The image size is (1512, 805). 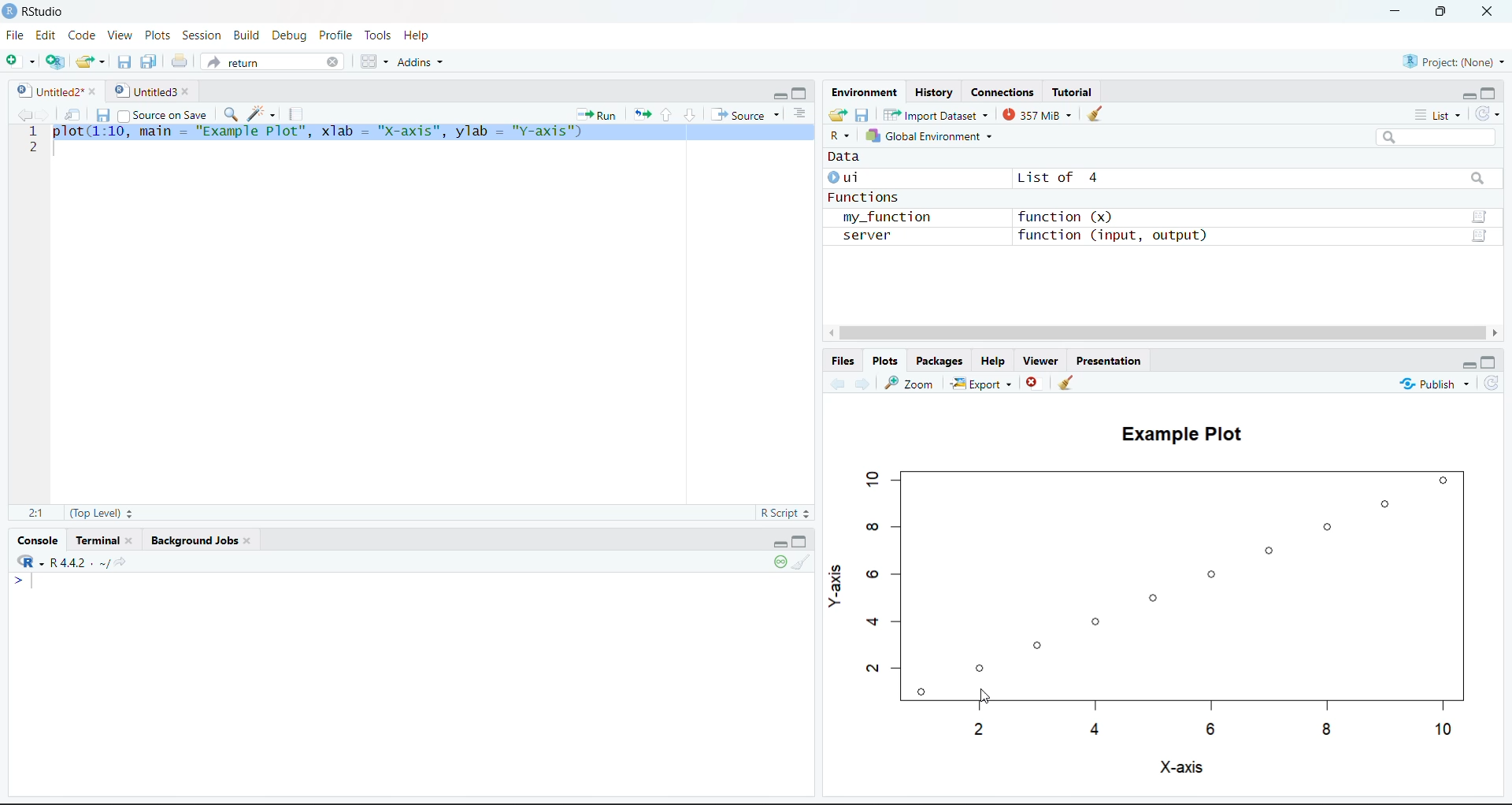 I want to click on Load workspace, so click(x=838, y=114).